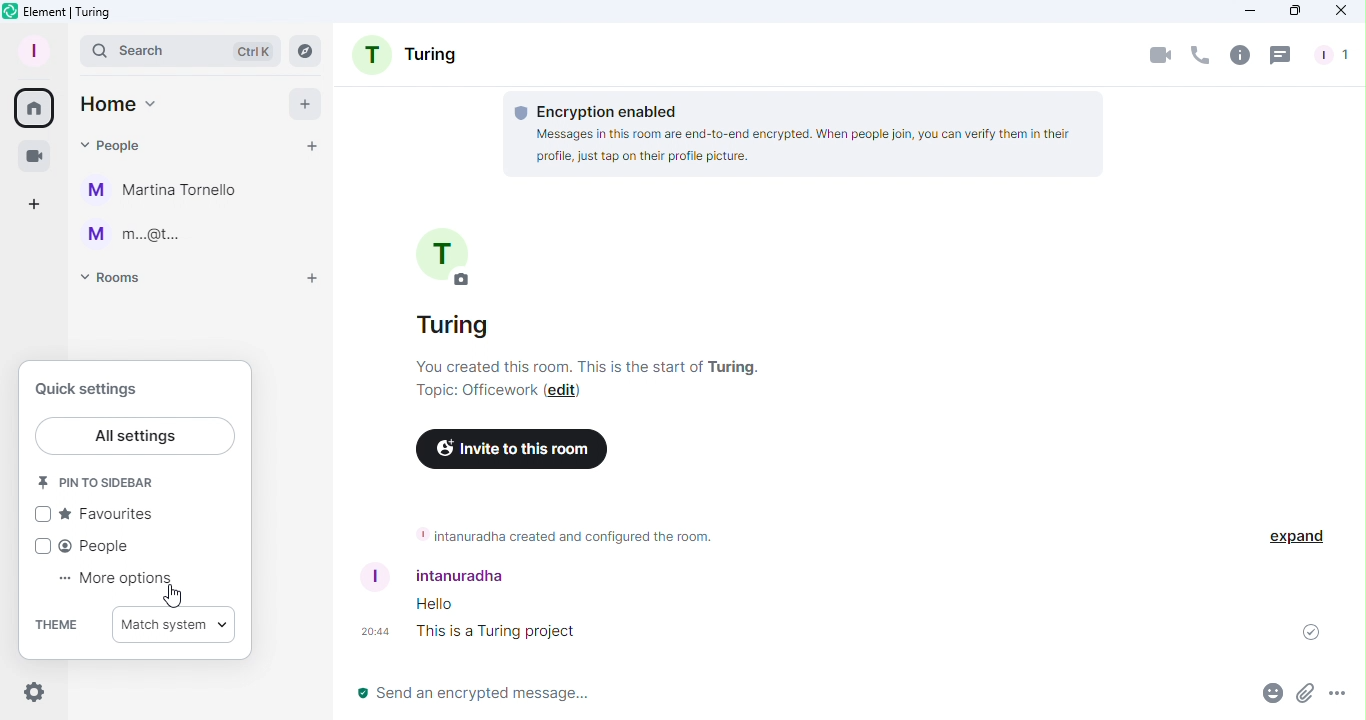 The width and height of the screenshot is (1366, 720). I want to click on Martina Tornello, so click(169, 190).